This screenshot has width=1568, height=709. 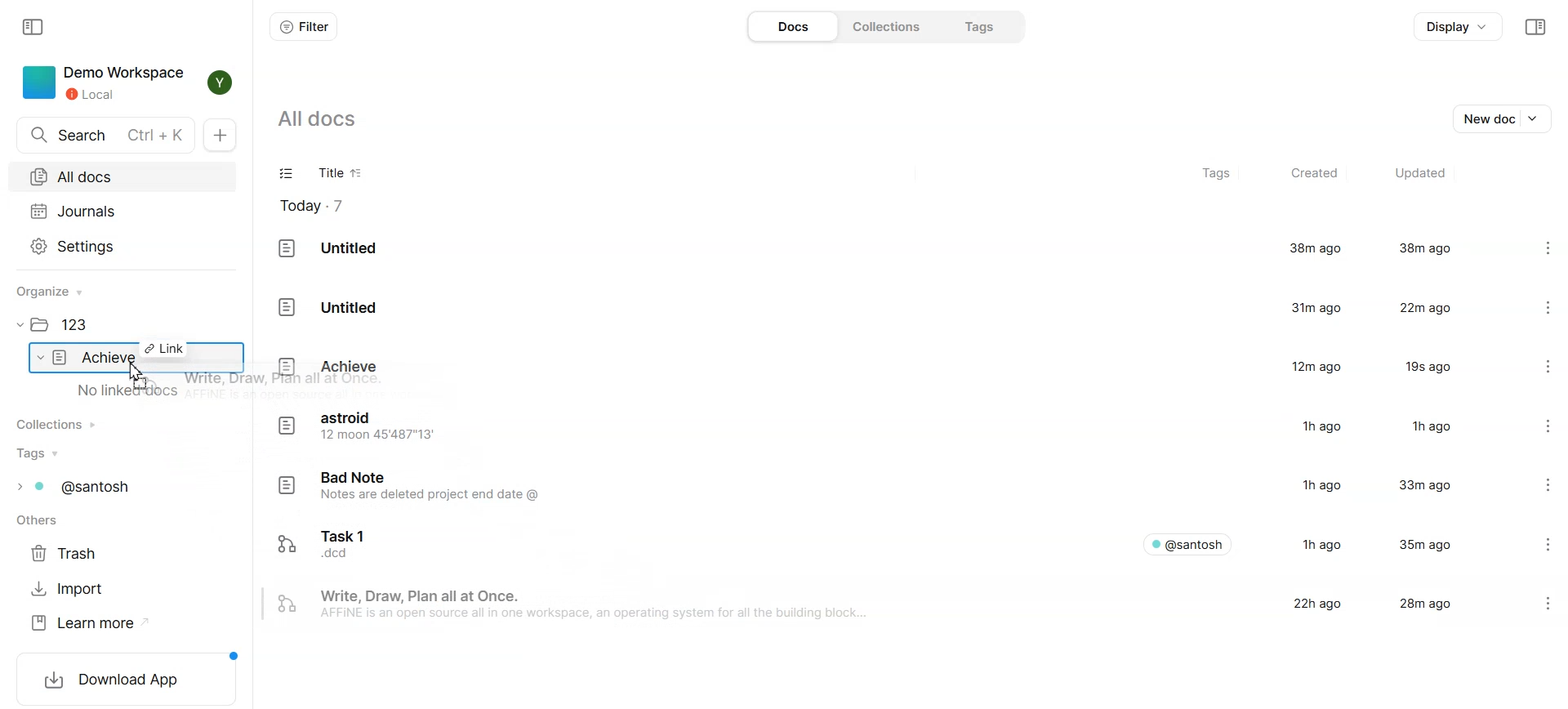 I want to click on Doc File, so click(x=877, y=605).